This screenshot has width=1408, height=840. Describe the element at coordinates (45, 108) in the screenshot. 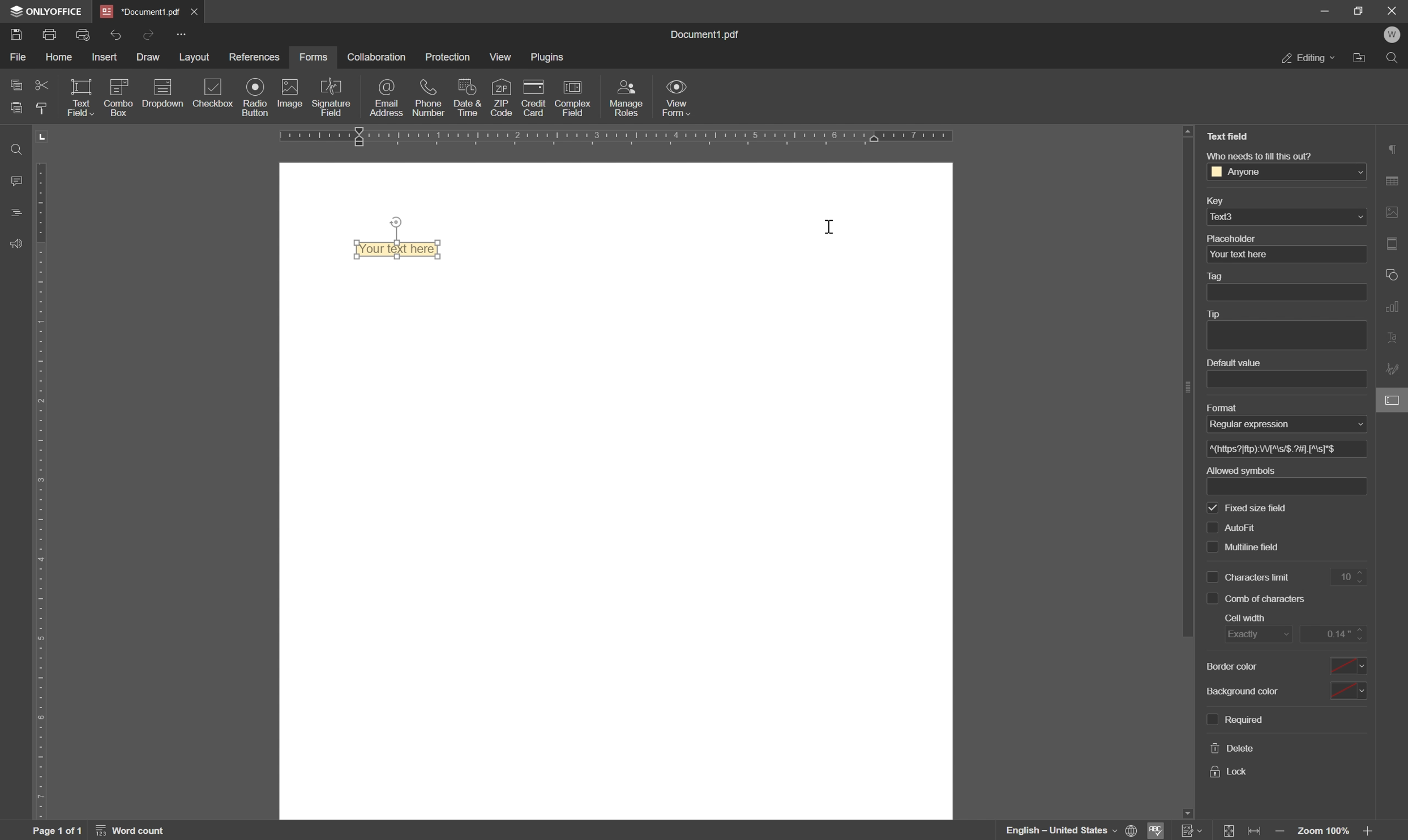

I see `copy style` at that location.